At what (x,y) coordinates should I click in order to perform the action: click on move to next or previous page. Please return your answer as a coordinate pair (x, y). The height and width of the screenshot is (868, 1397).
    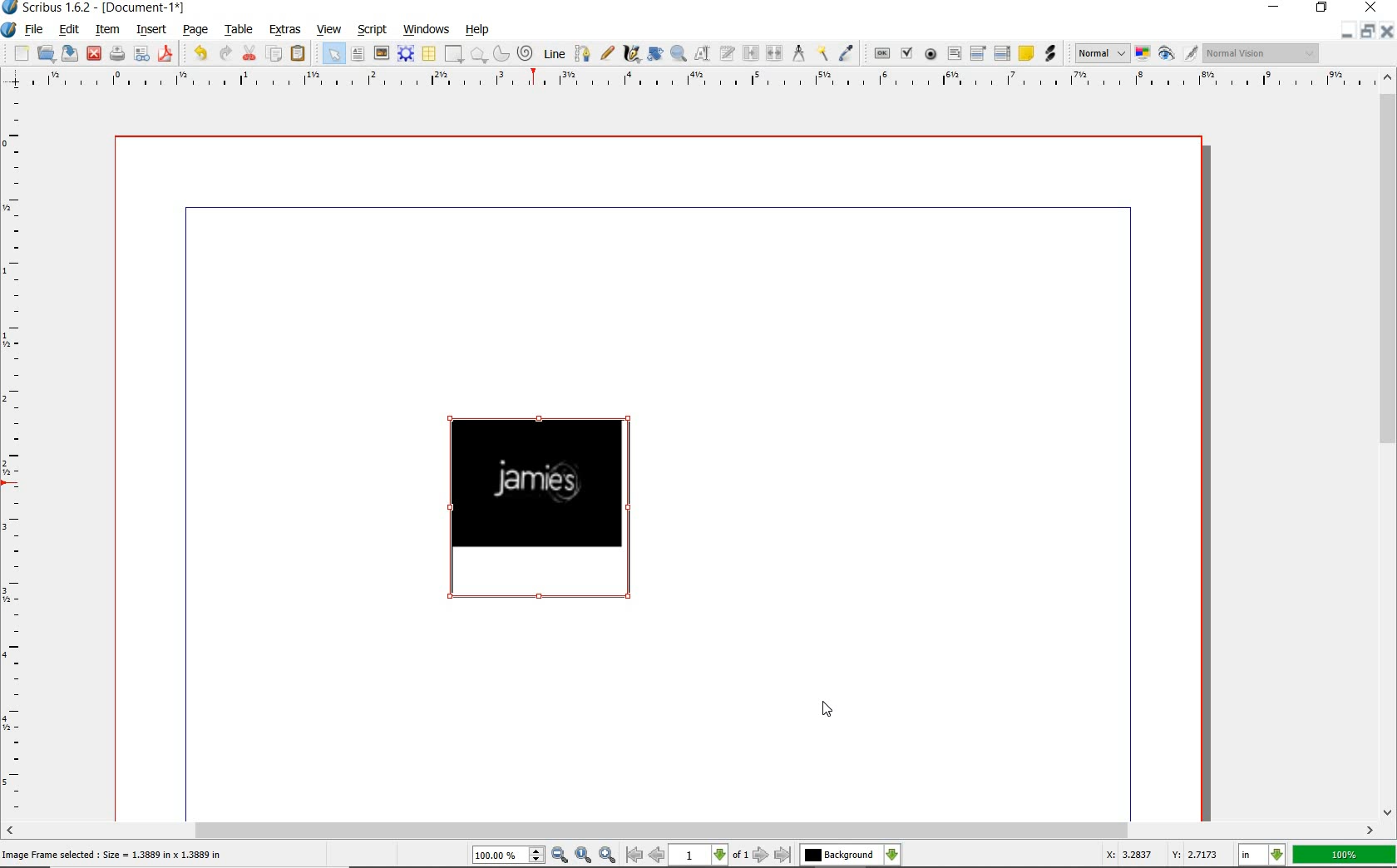
    Looking at the image, I should click on (708, 856).